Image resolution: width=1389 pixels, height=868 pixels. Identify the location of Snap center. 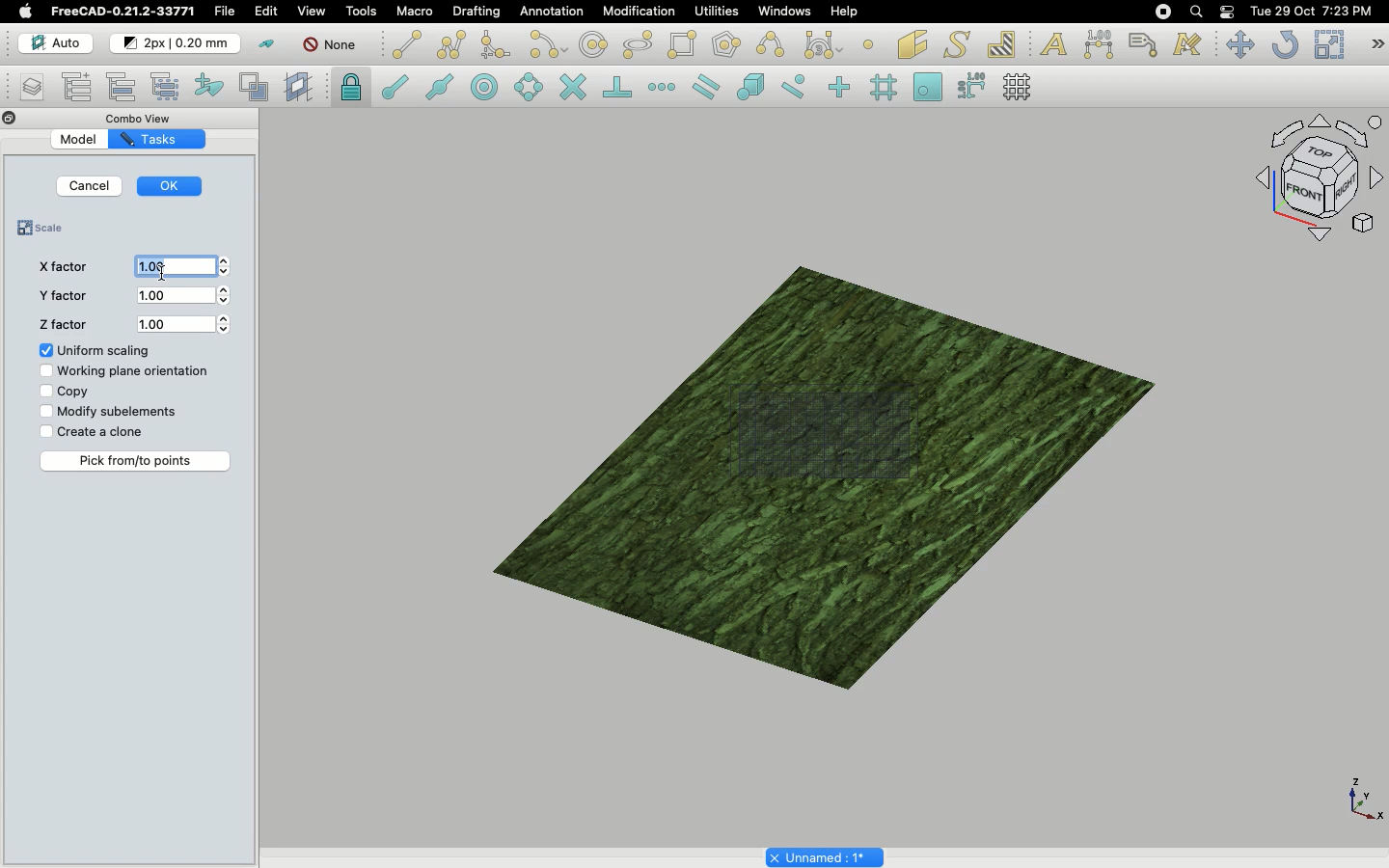
(482, 88).